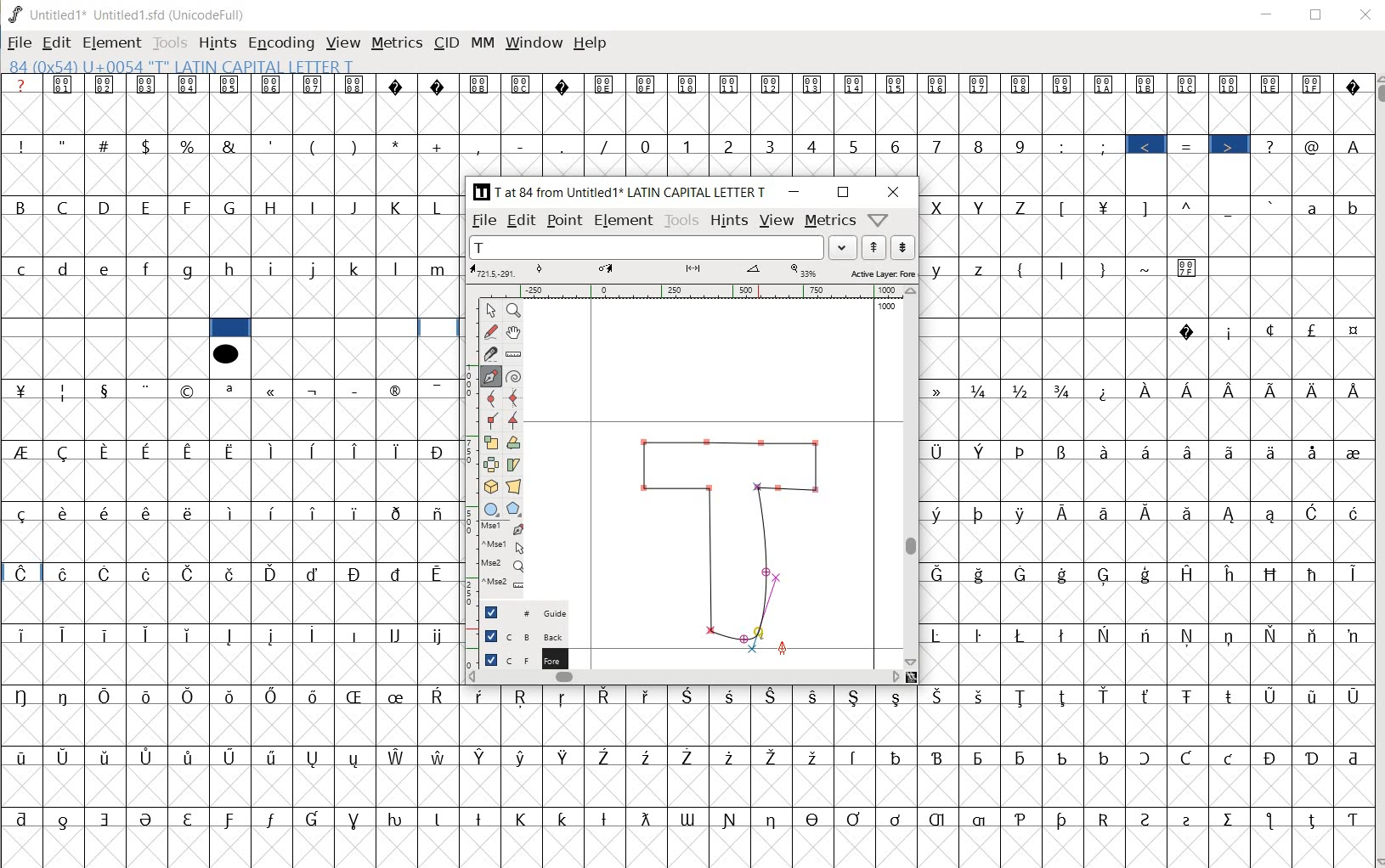 This screenshot has width=1385, height=868. I want to click on element, so click(624, 219).